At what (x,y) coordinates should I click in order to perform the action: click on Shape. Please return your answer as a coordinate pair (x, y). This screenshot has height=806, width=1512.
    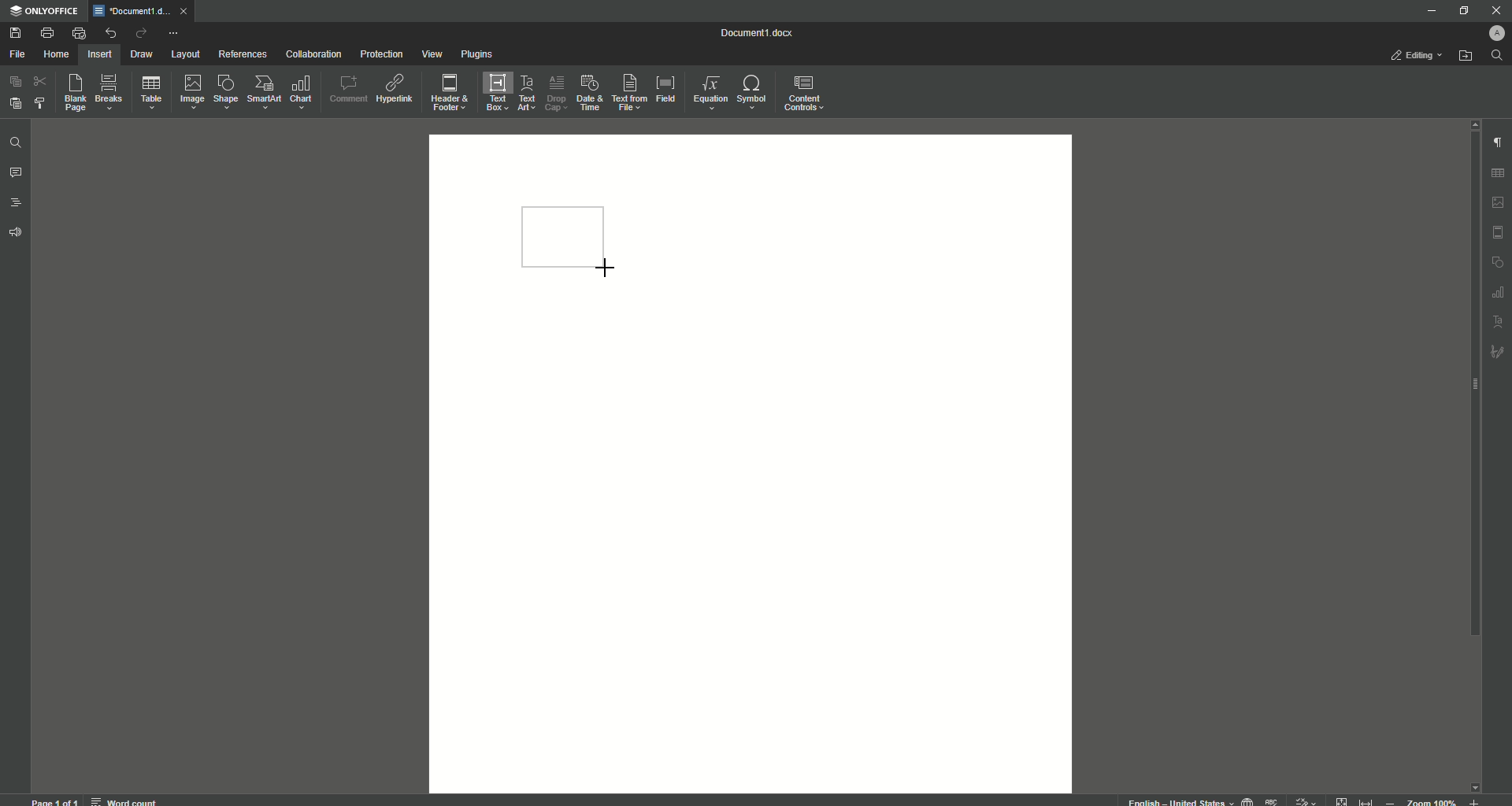
    Looking at the image, I should click on (224, 91).